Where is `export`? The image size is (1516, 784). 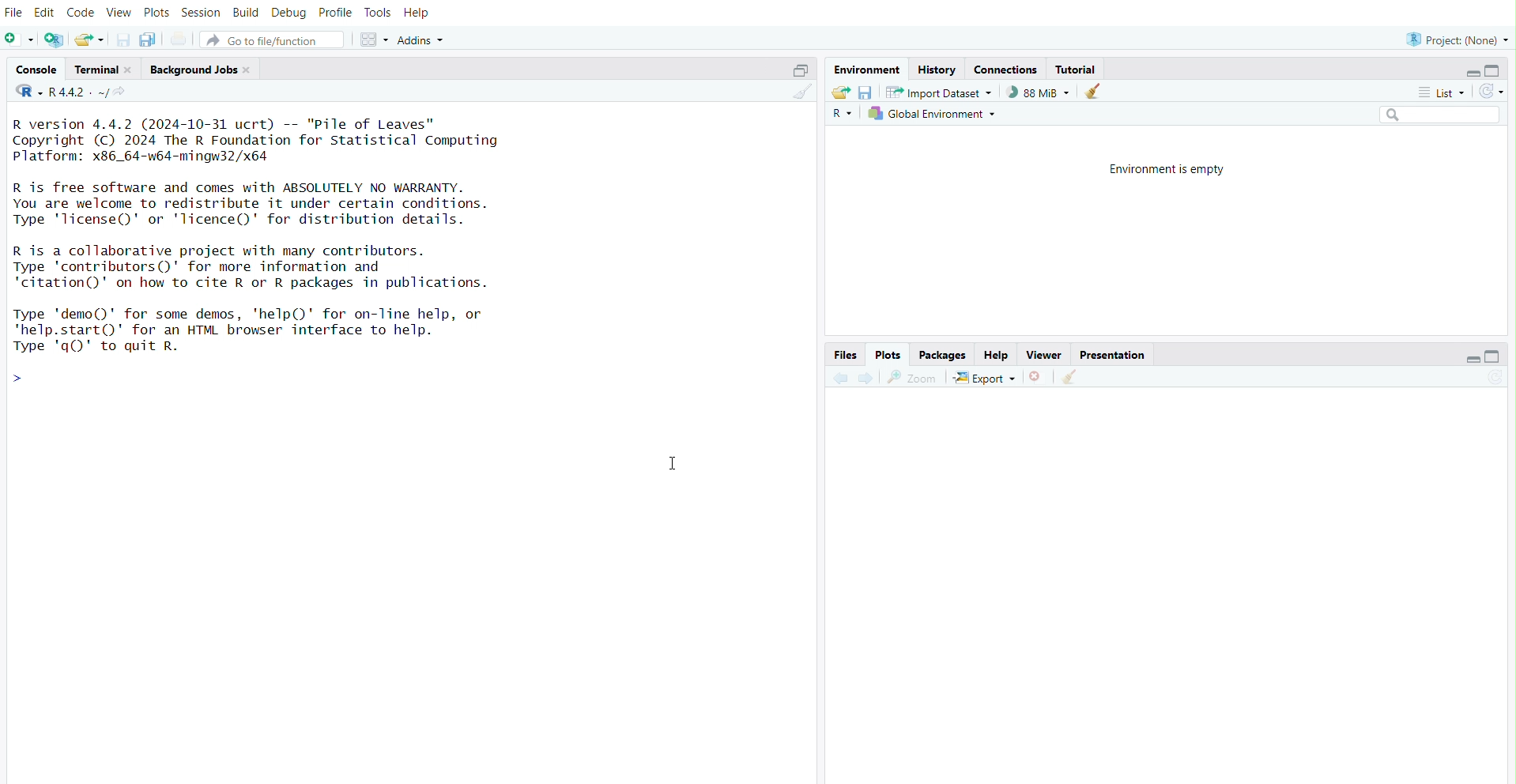 export is located at coordinates (985, 378).